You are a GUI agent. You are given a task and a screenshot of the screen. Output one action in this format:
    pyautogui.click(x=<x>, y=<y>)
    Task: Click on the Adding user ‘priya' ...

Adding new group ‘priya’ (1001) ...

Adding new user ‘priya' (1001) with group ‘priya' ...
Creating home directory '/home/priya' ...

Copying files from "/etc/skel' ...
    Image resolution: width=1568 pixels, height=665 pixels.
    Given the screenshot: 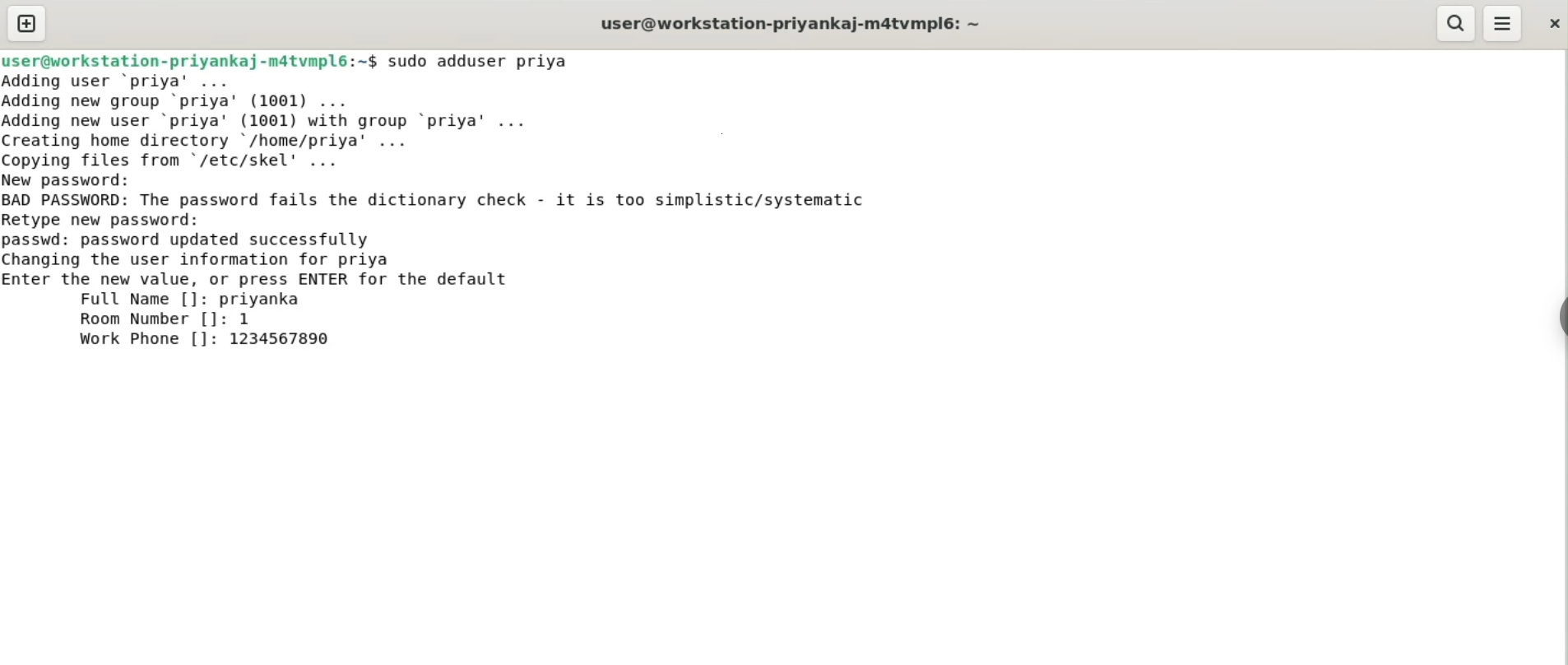 What is the action you would take?
    pyautogui.click(x=274, y=121)
    